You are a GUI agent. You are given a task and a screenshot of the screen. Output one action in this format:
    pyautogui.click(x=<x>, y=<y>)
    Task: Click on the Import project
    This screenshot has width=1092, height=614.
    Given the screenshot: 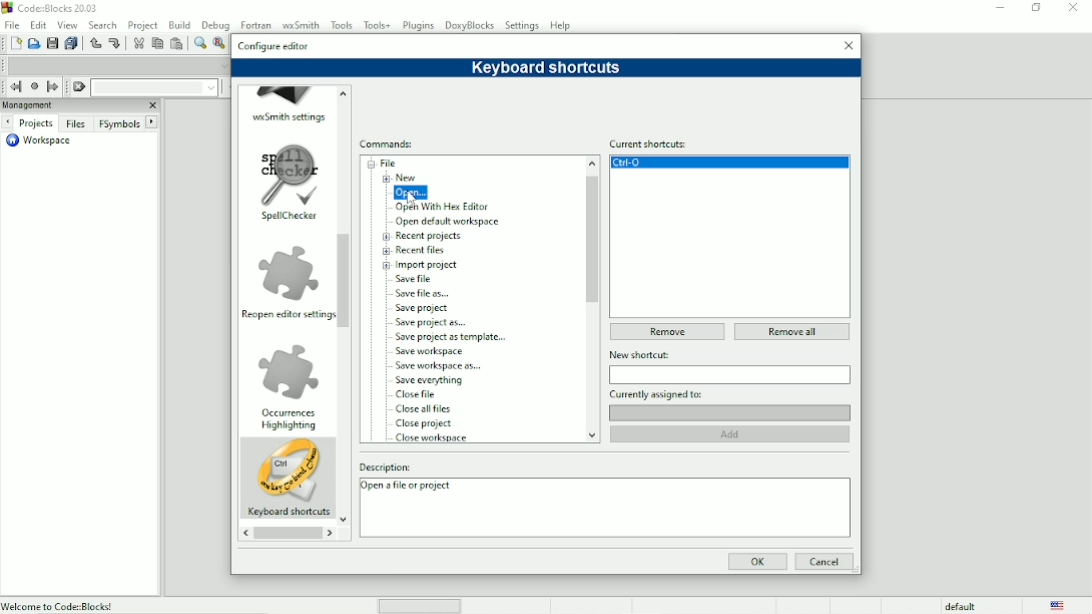 What is the action you would take?
    pyautogui.click(x=429, y=265)
    